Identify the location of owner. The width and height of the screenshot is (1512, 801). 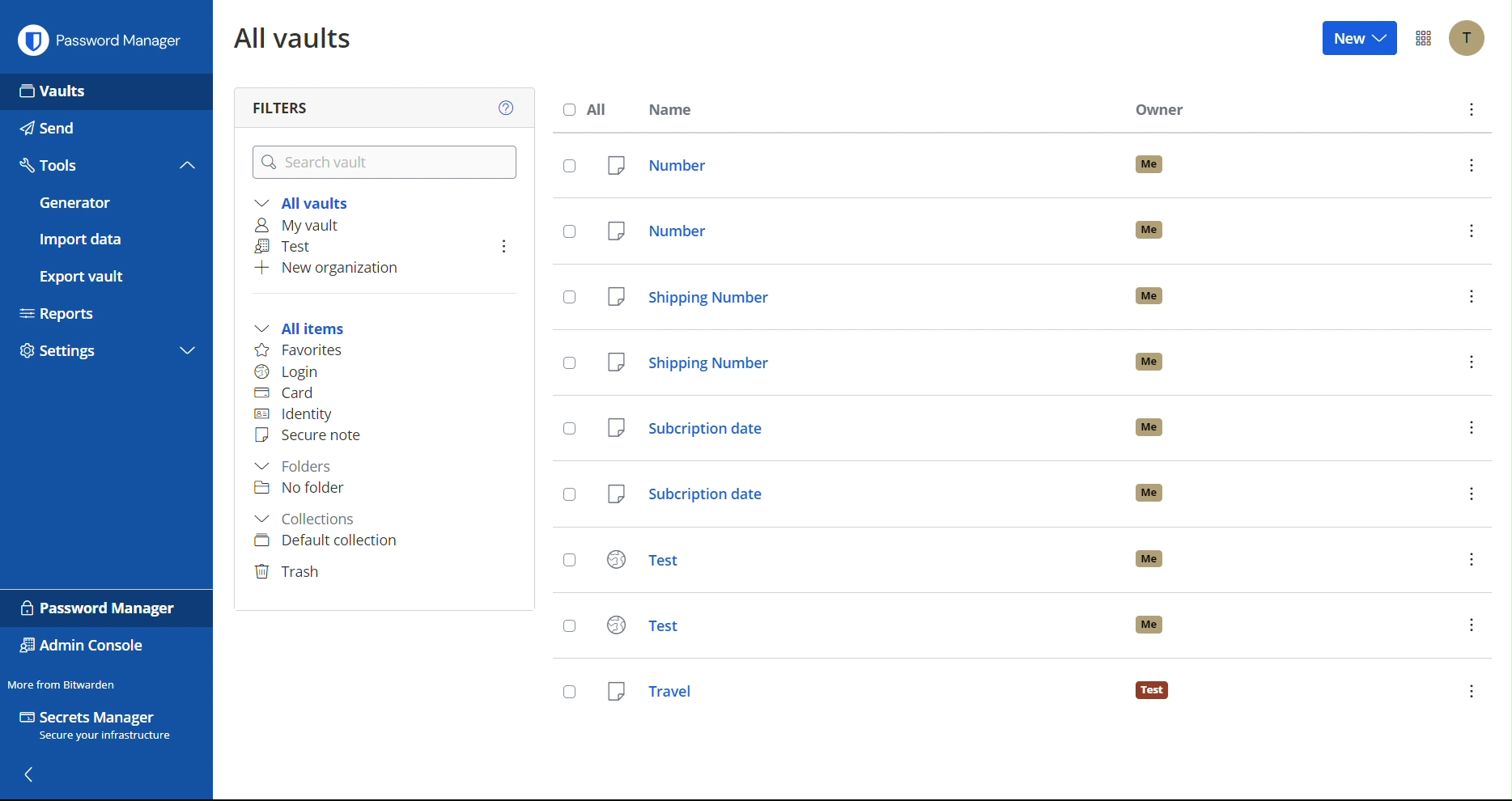
(1150, 427).